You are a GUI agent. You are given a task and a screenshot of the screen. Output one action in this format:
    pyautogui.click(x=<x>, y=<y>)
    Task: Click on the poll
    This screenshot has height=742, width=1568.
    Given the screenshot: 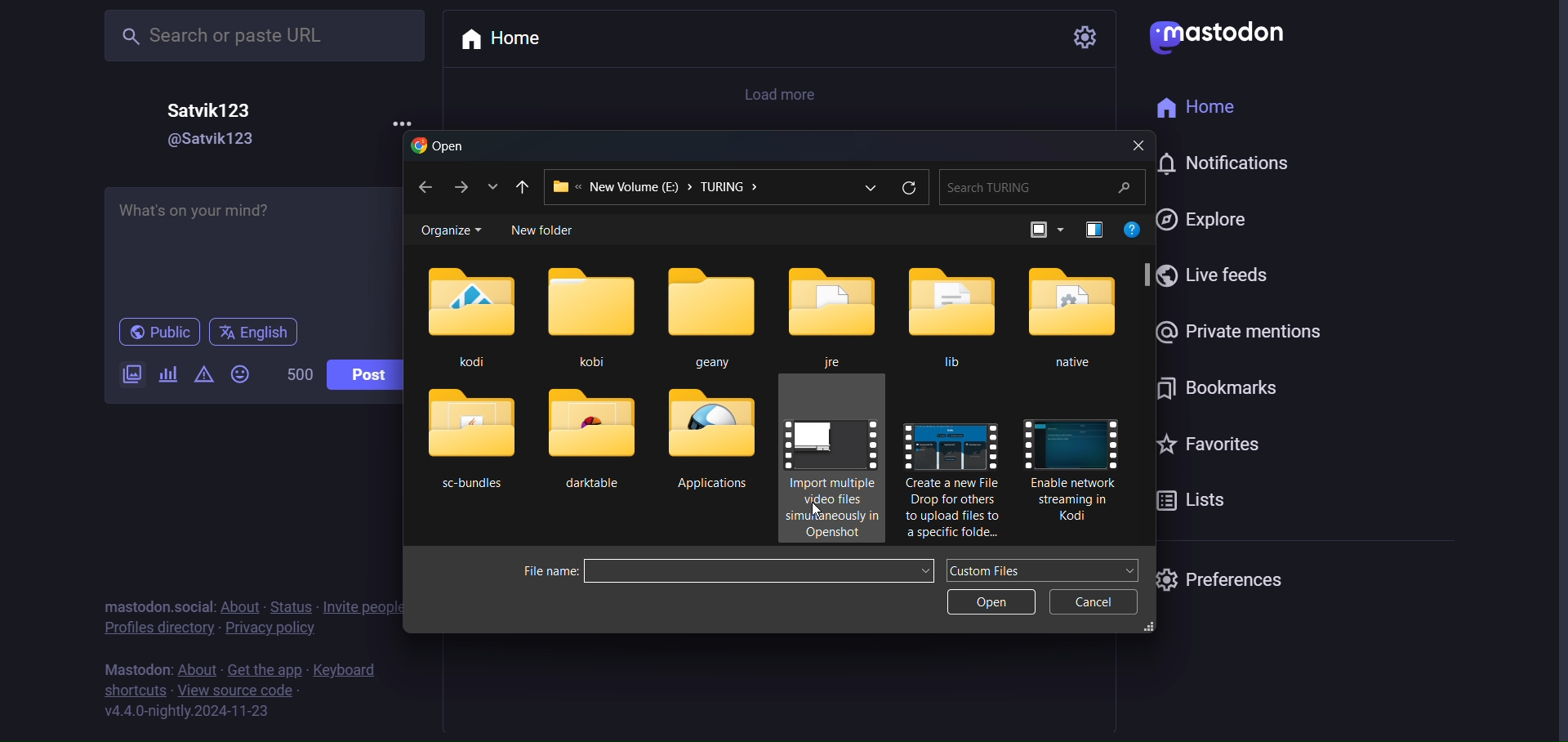 What is the action you would take?
    pyautogui.click(x=163, y=375)
    